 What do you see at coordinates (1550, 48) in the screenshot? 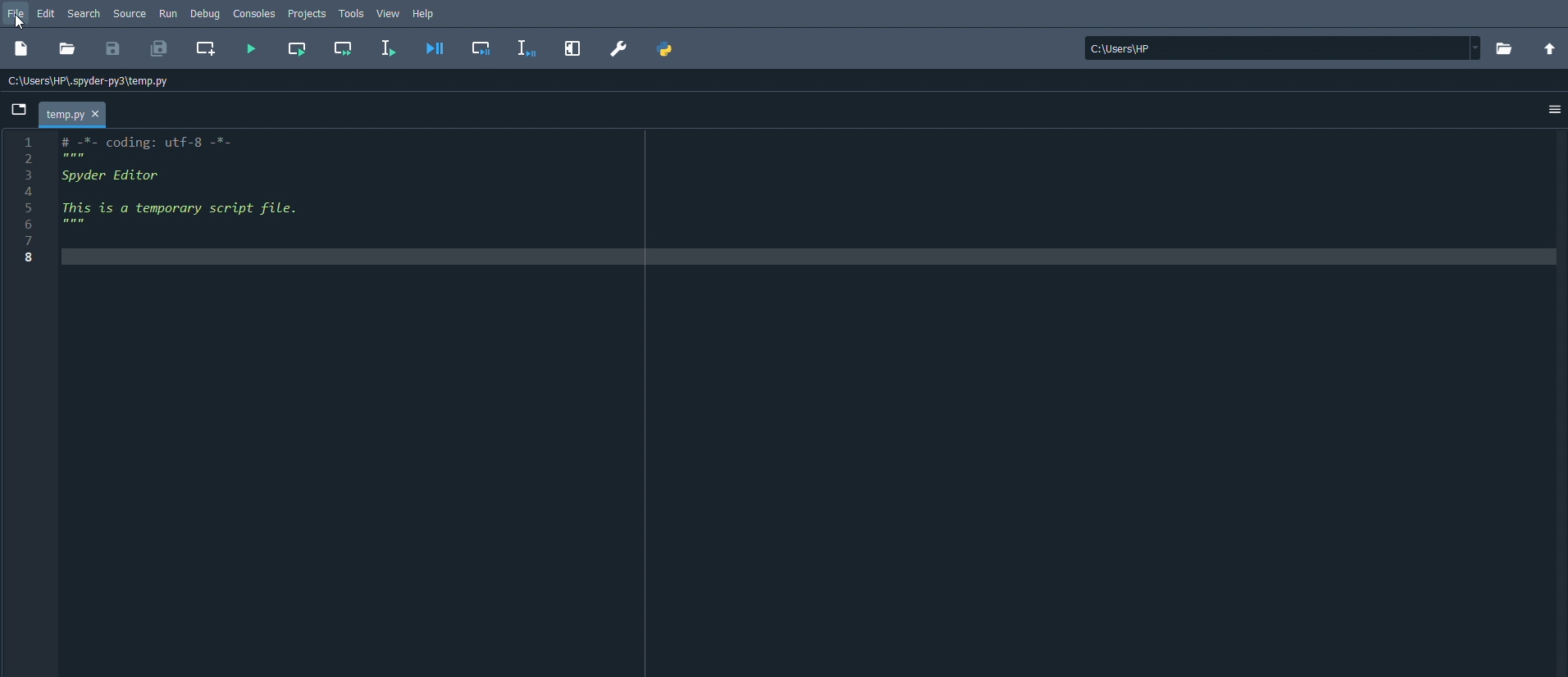
I see `Change to parent directory` at bounding box center [1550, 48].